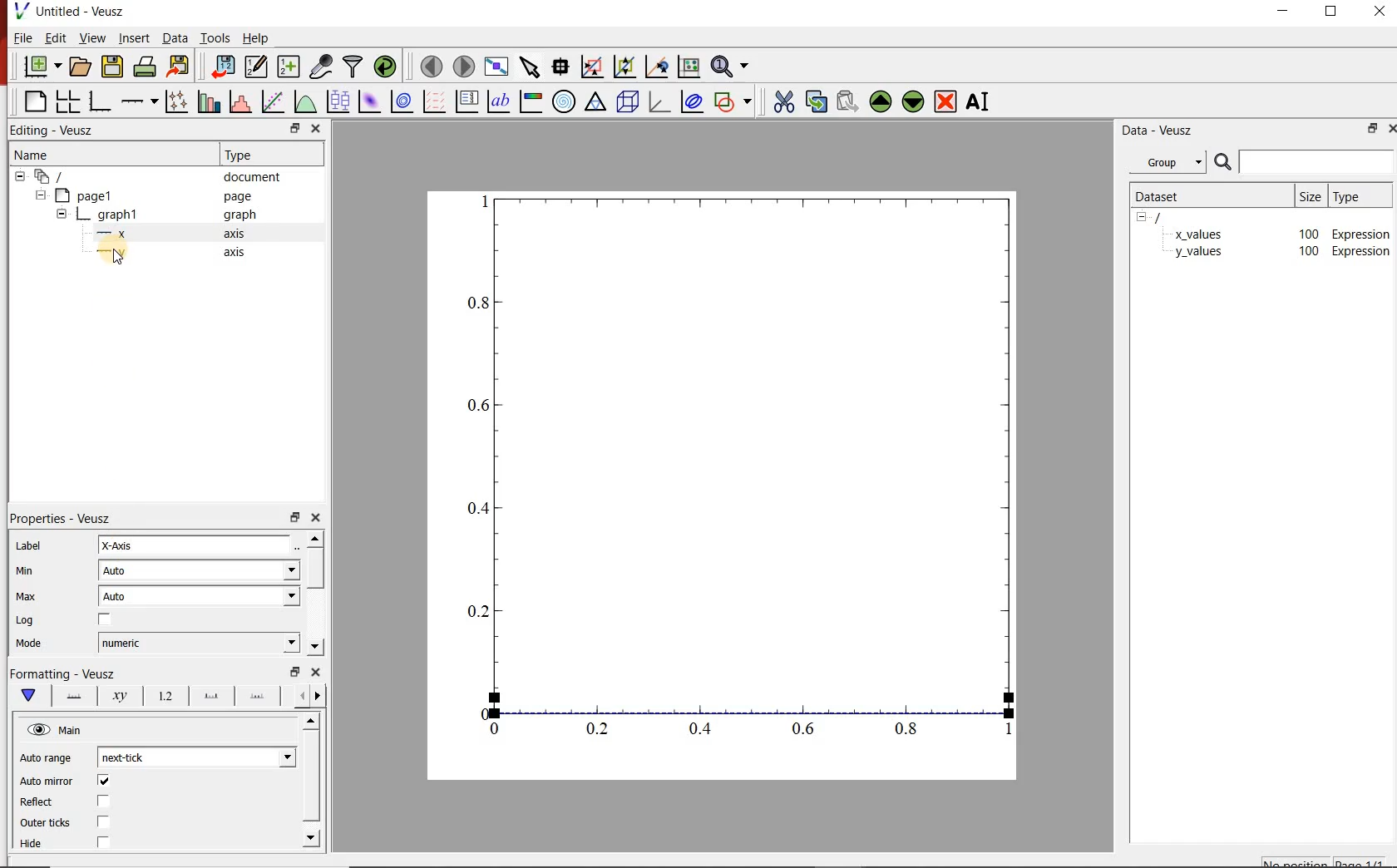  I want to click on hide, so click(40, 195).